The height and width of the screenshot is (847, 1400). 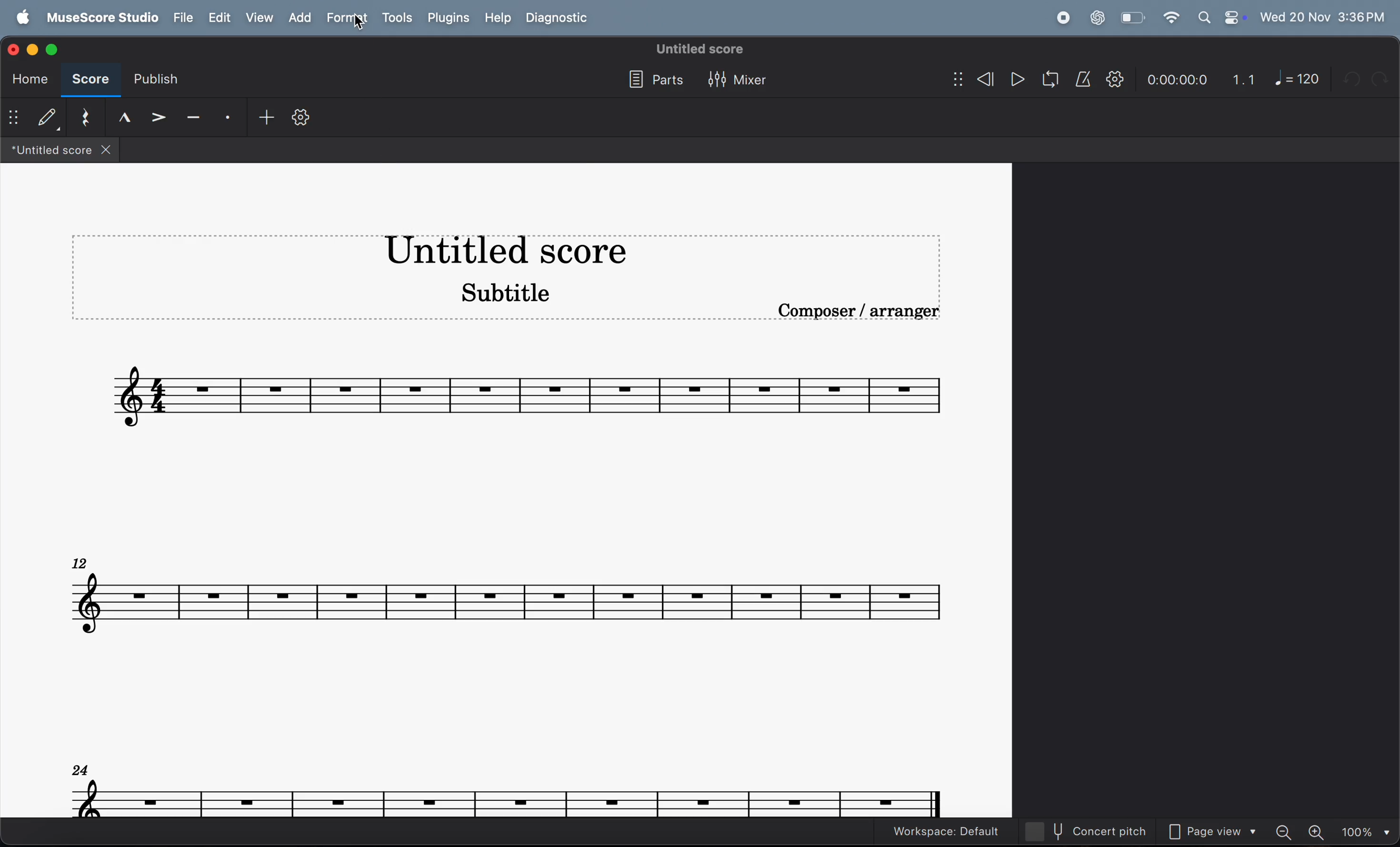 I want to click on maximize, so click(x=52, y=48).